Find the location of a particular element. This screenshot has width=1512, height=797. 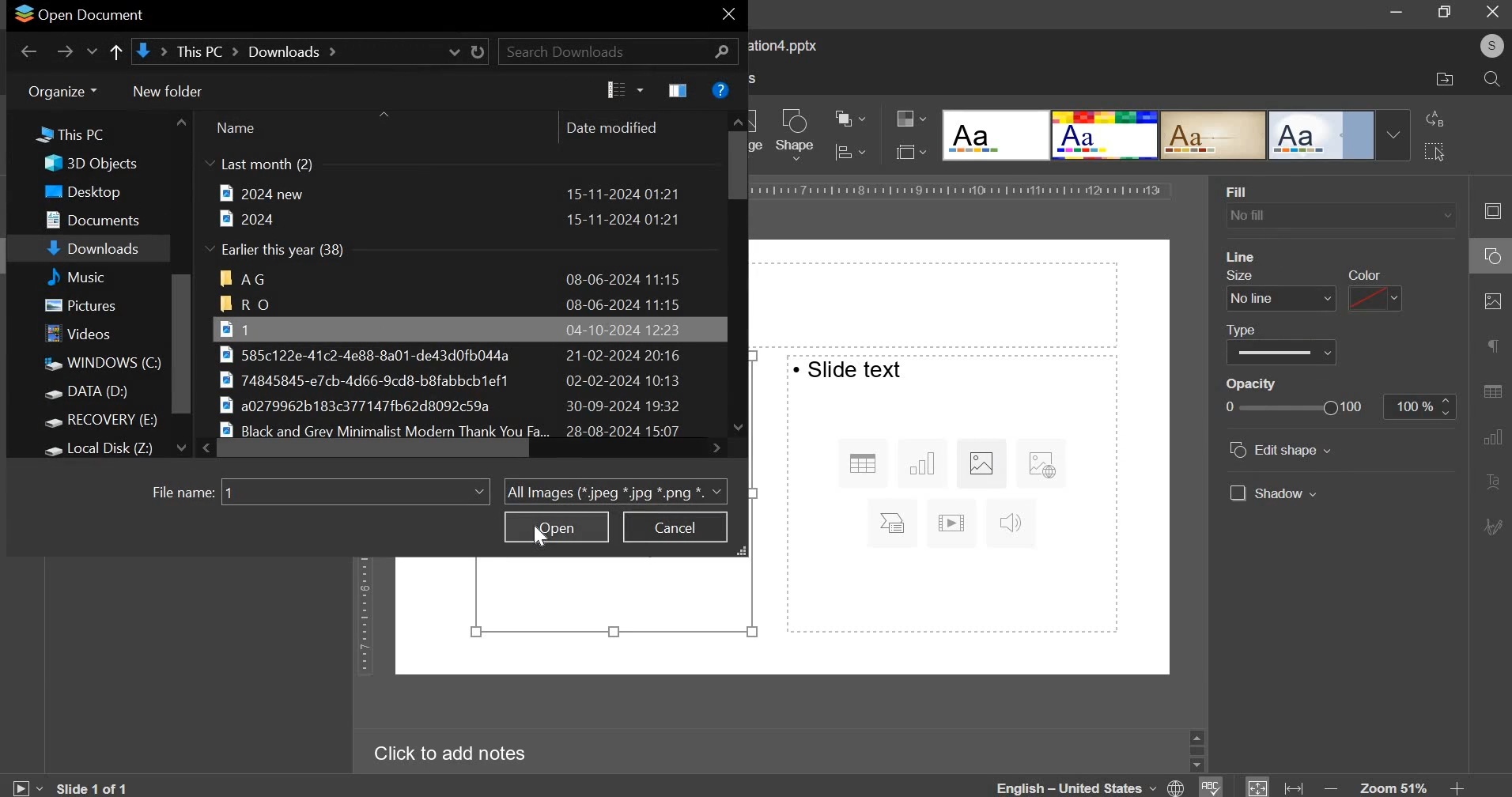

zoom 51% is located at coordinates (1393, 788).